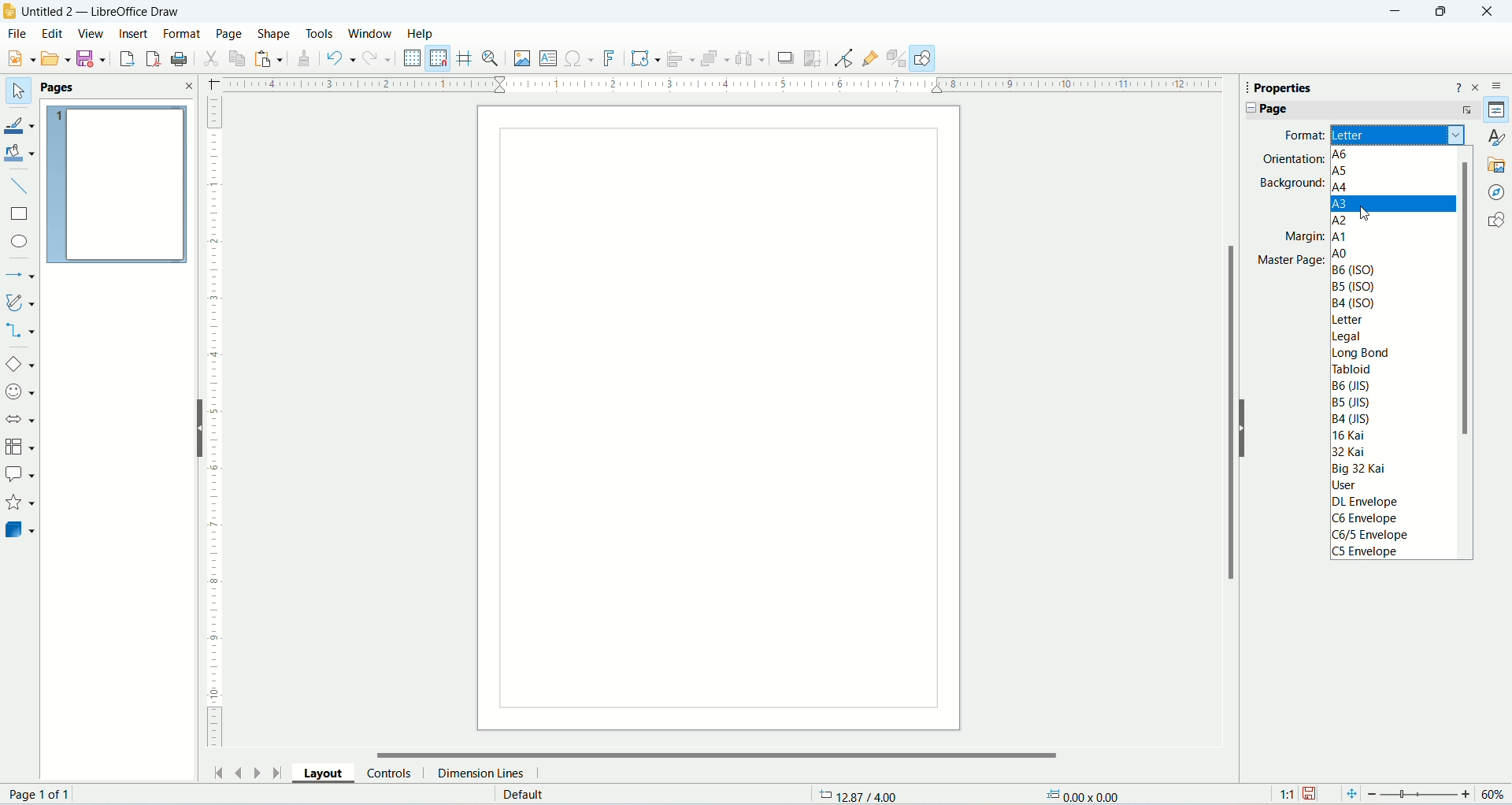 The image size is (1512, 805). I want to click on Format, so click(1297, 135).